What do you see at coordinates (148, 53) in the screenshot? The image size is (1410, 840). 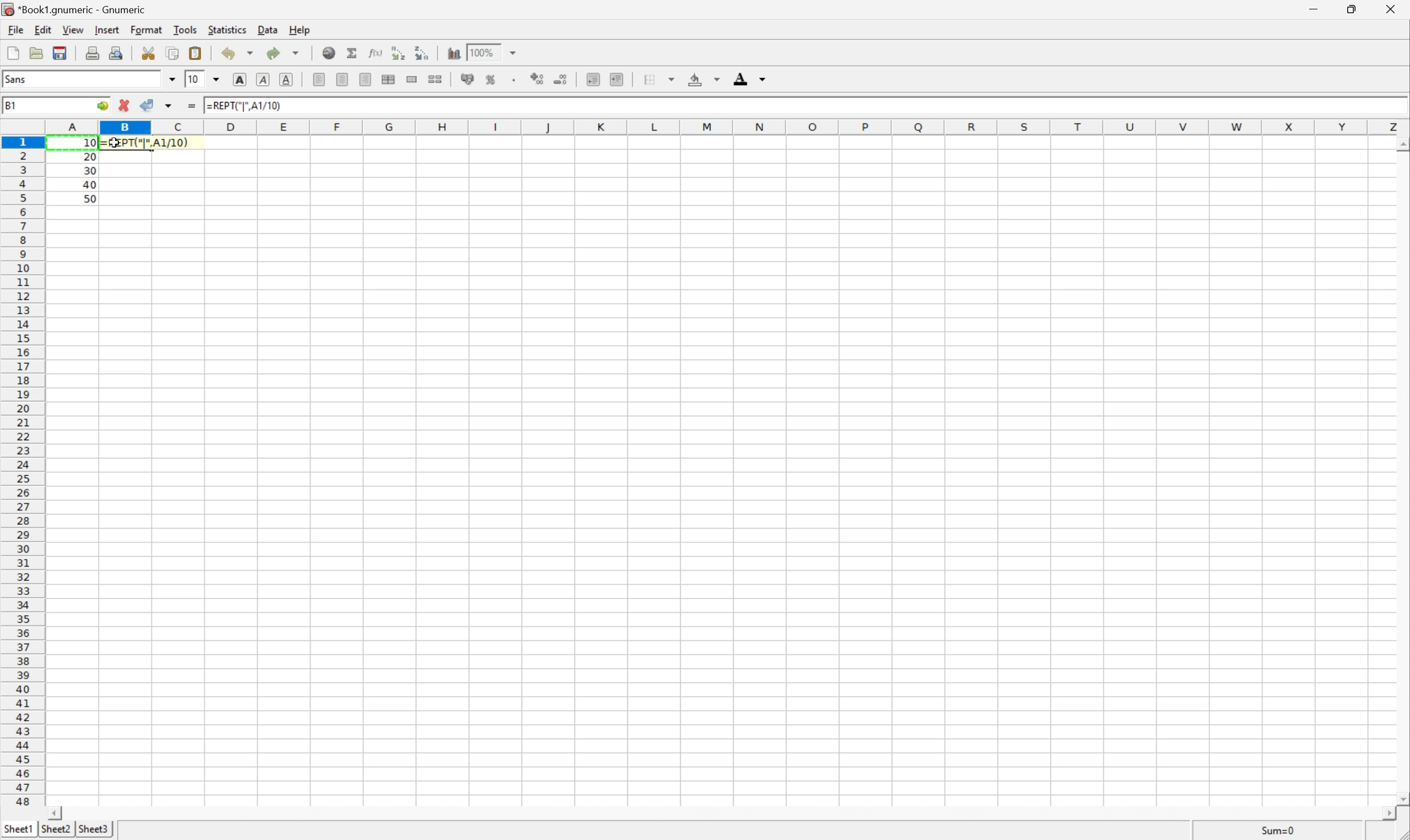 I see `Cut selection` at bounding box center [148, 53].